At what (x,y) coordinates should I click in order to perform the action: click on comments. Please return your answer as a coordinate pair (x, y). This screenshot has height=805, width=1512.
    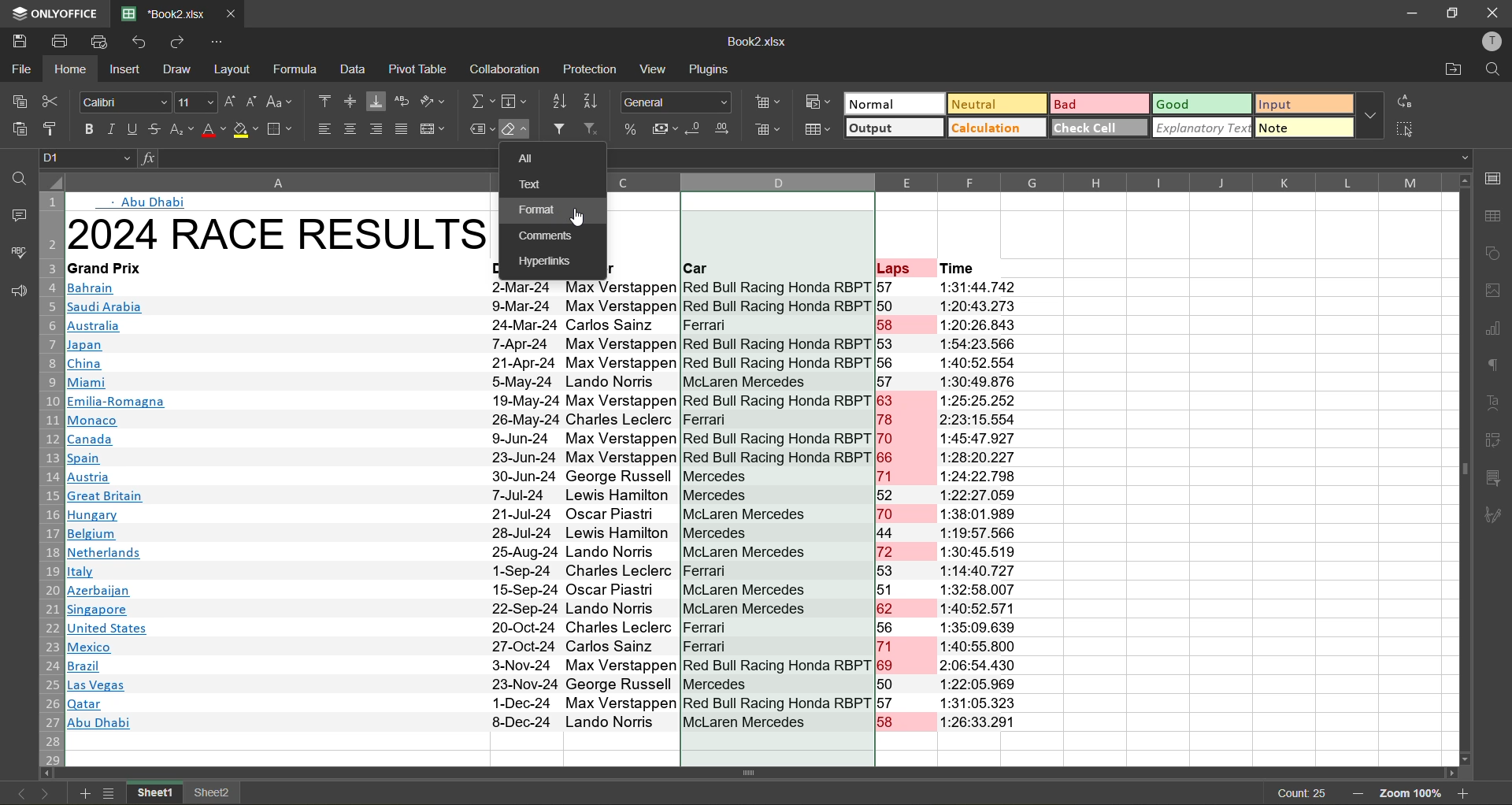
    Looking at the image, I should click on (552, 239).